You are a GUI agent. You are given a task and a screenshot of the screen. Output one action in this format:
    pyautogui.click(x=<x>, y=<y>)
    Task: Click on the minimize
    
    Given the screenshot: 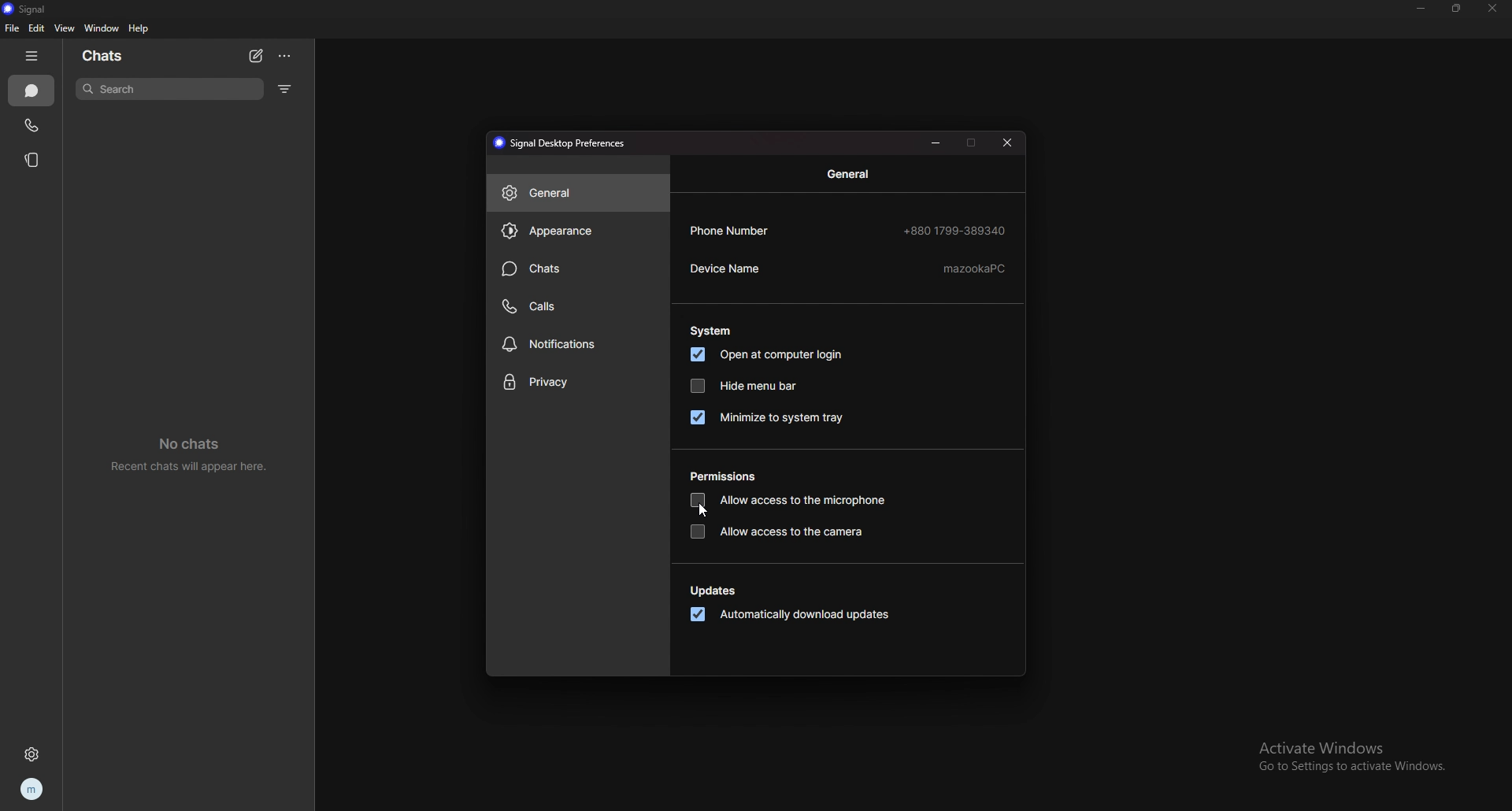 What is the action you would take?
    pyautogui.click(x=935, y=143)
    